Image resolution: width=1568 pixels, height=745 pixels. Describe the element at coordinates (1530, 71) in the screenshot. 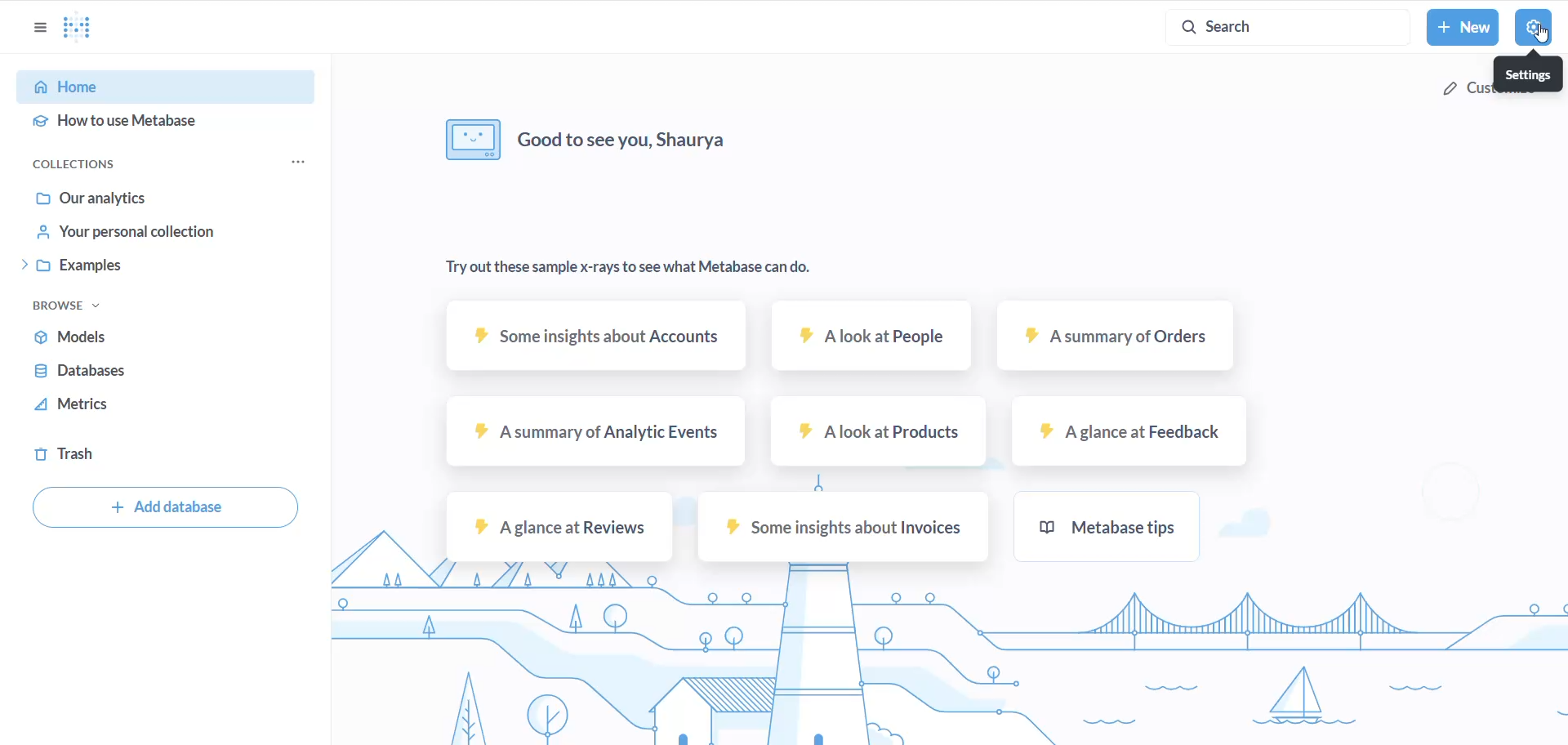

I see `settings` at that location.